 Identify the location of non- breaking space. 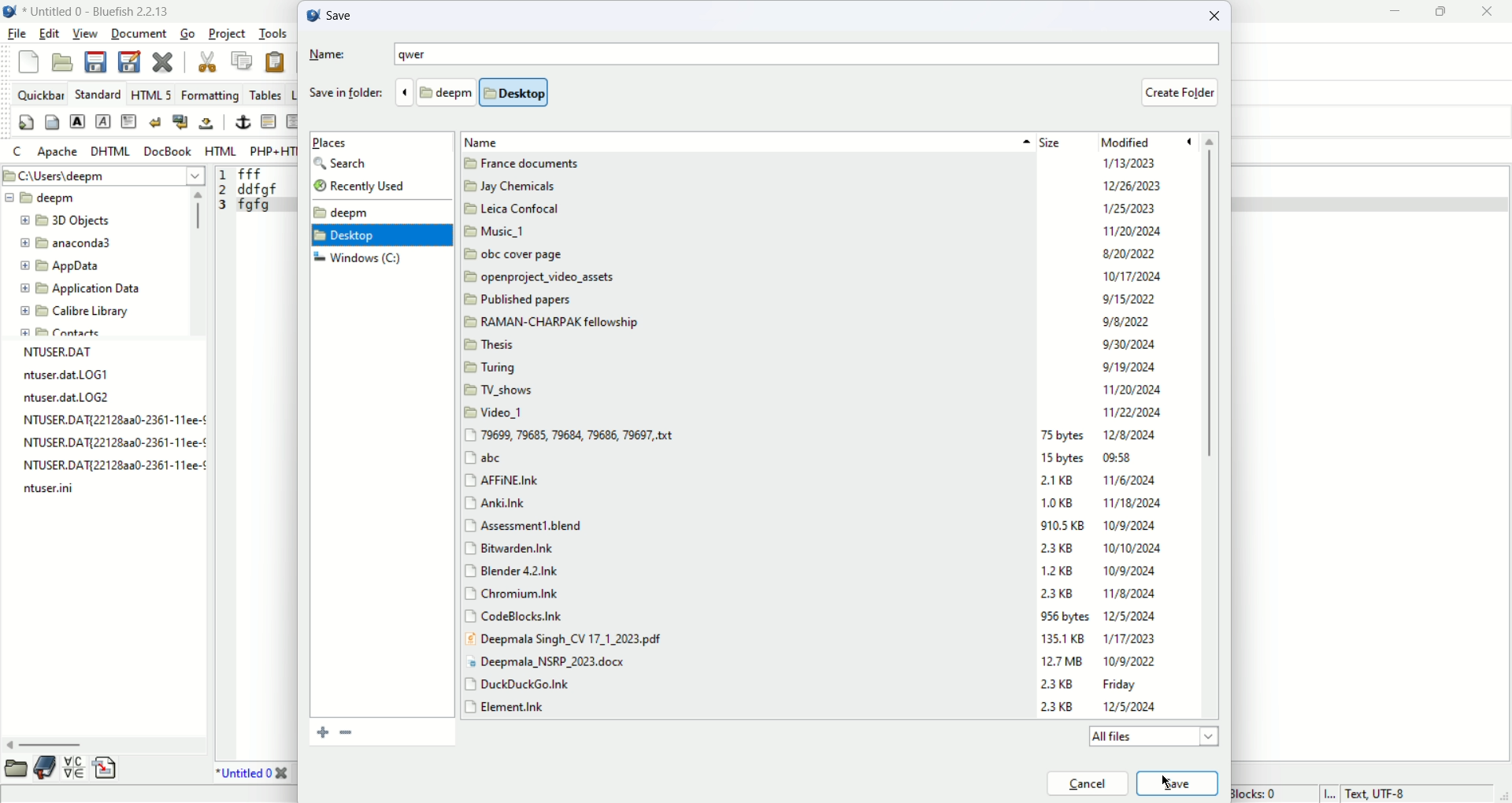
(207, 124).